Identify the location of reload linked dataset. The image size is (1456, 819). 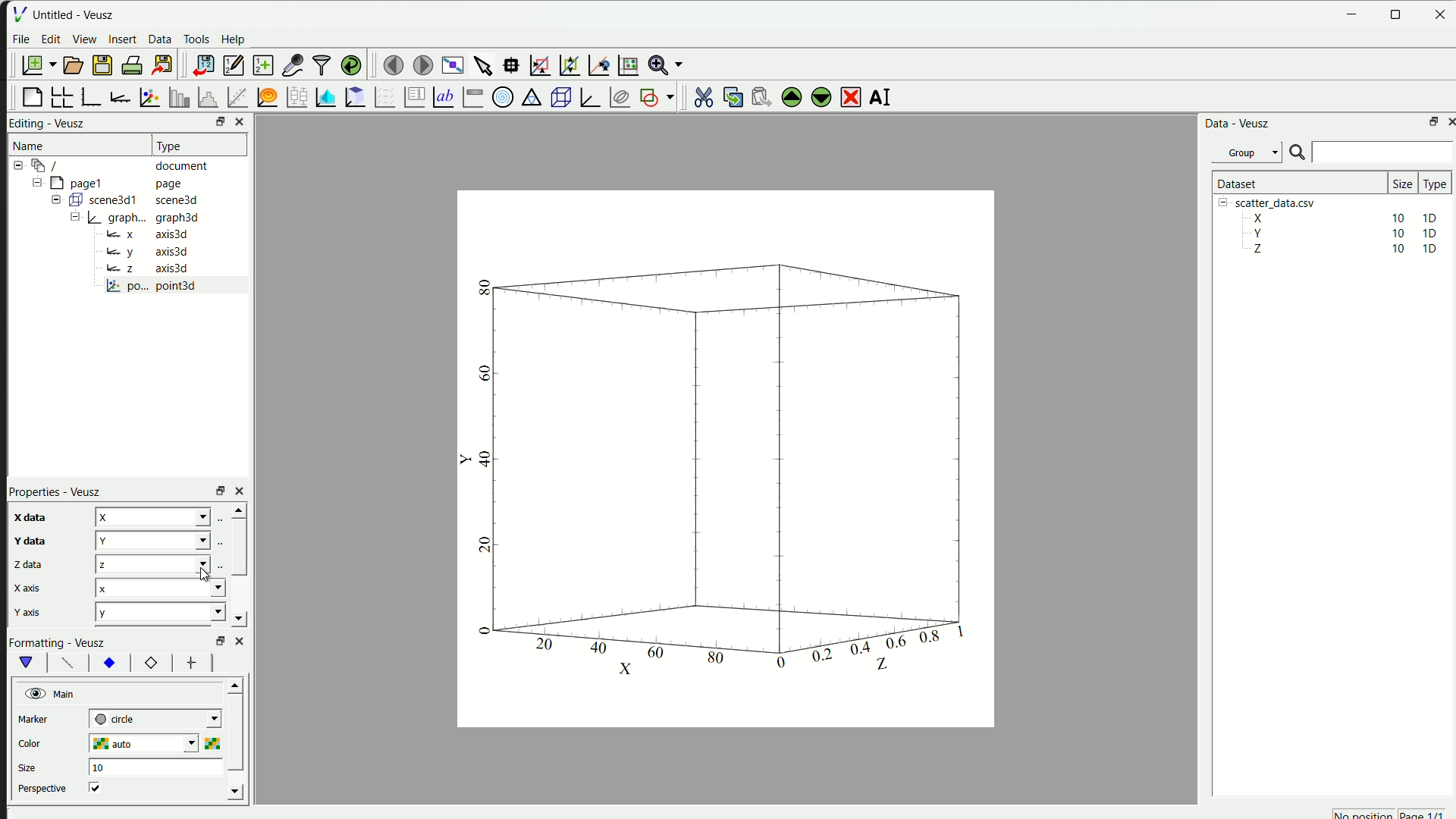
(352, 64).